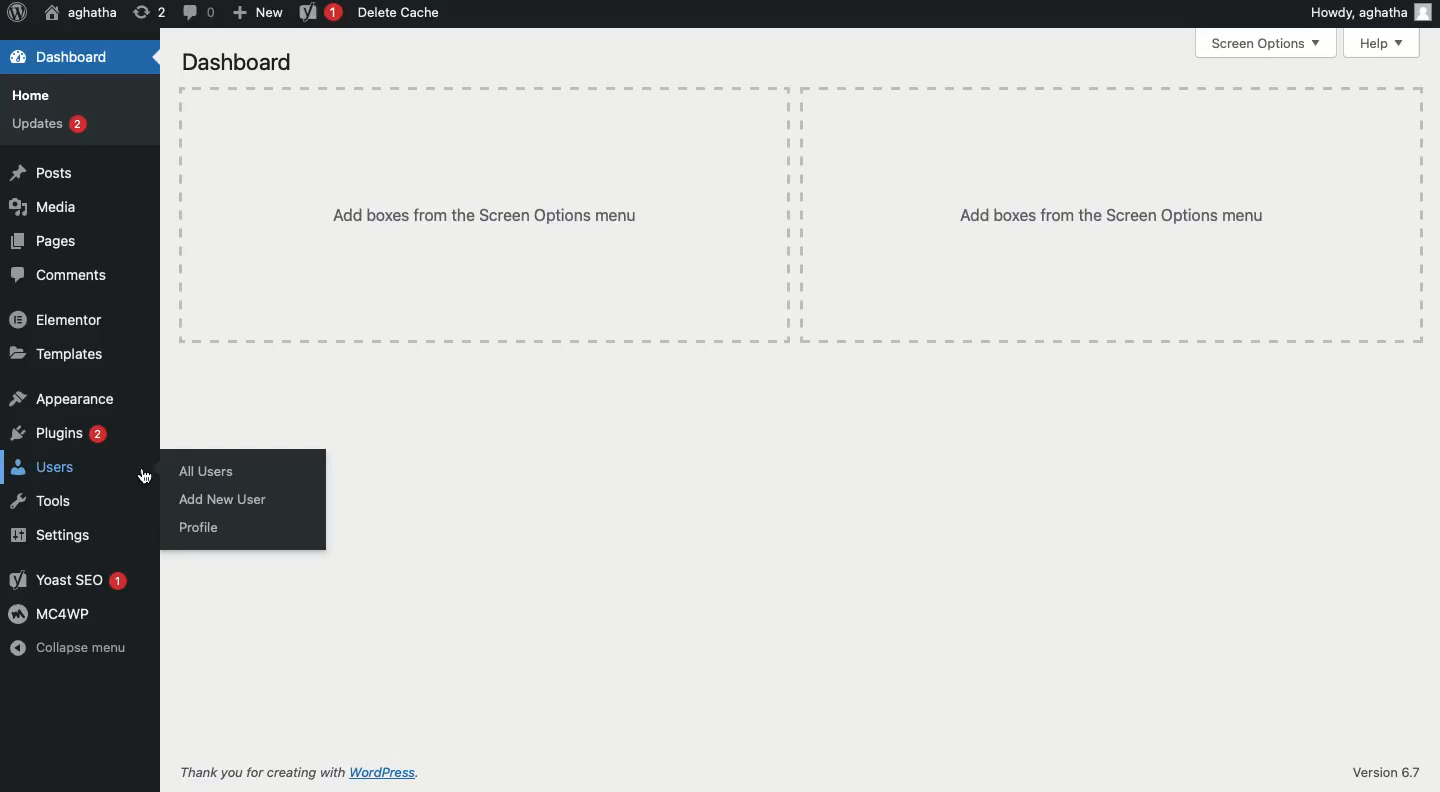 This screenshot has width=1440, height=792. What do you see at coordinates (1381, 45) in the screenshot?
I see `Help` at bounding box center [1381, 45].